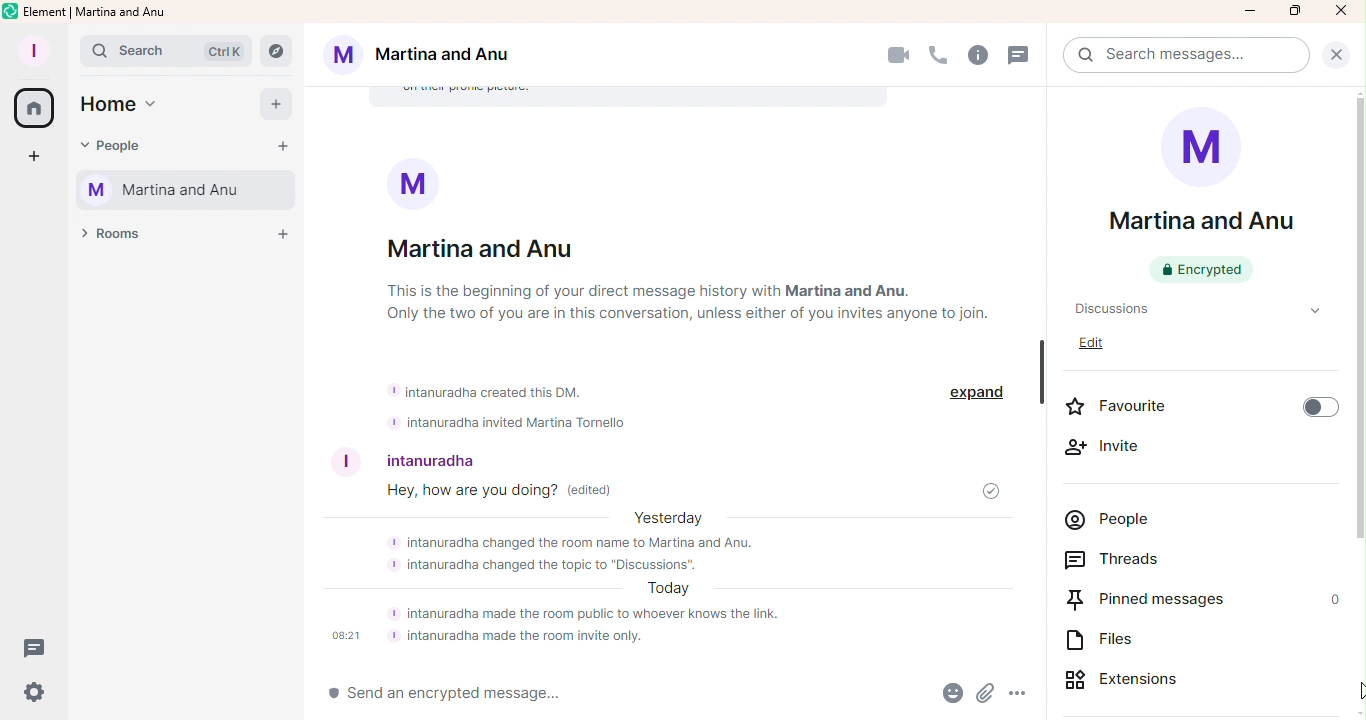 The image size is (1366, 720). Describe the element at coordinates (1177, 201) in the screenshot. I see `Room ` at that location.